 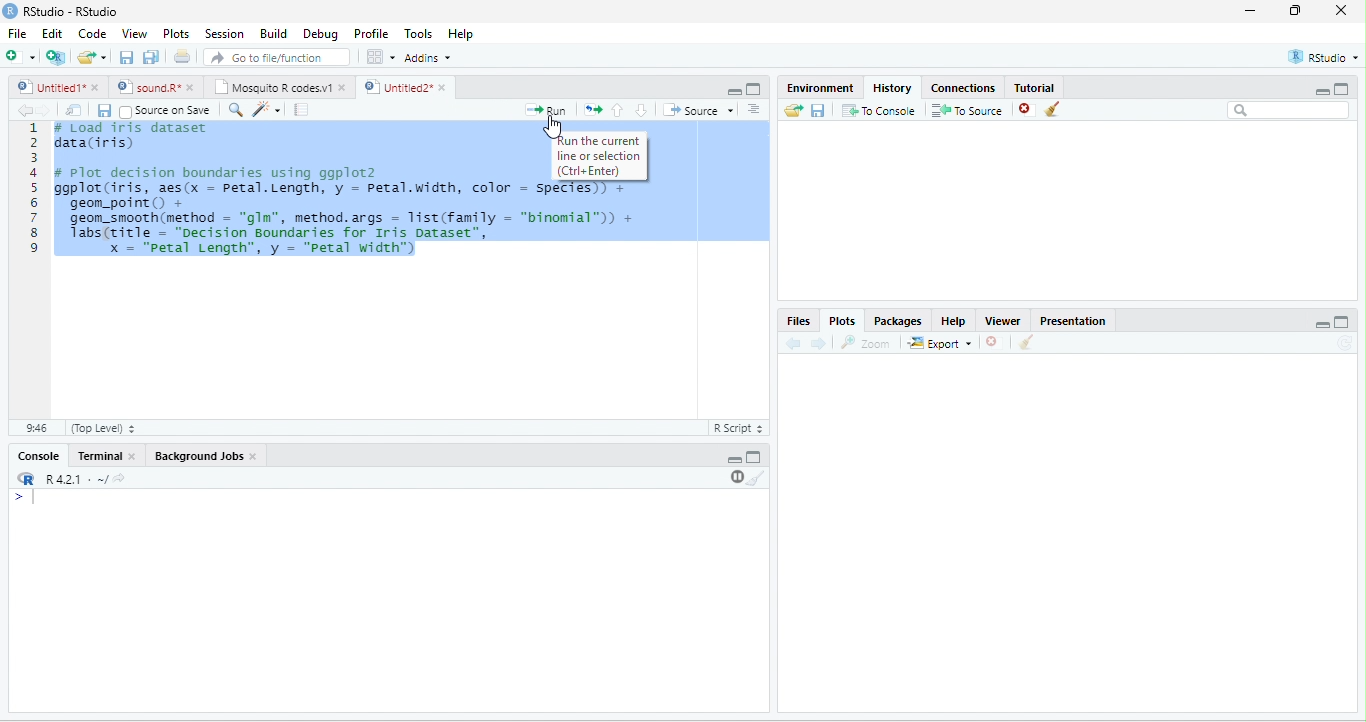 What do you see at coordinates (420, 34) in the screenshot?
I see `Tools` at bounding box center [420, 34].